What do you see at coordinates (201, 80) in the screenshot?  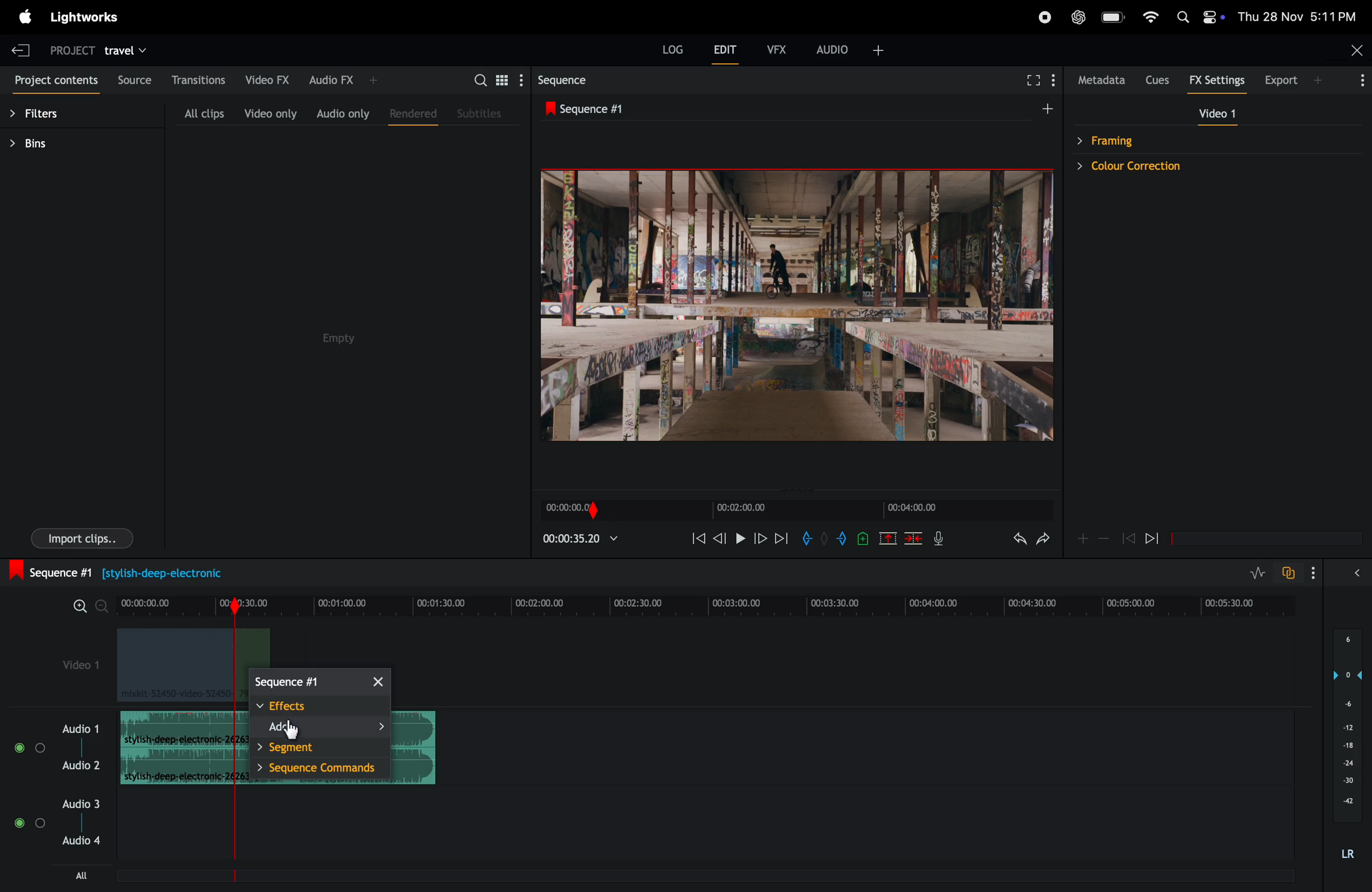 I see `transitions` at bounding box center [201, 80].